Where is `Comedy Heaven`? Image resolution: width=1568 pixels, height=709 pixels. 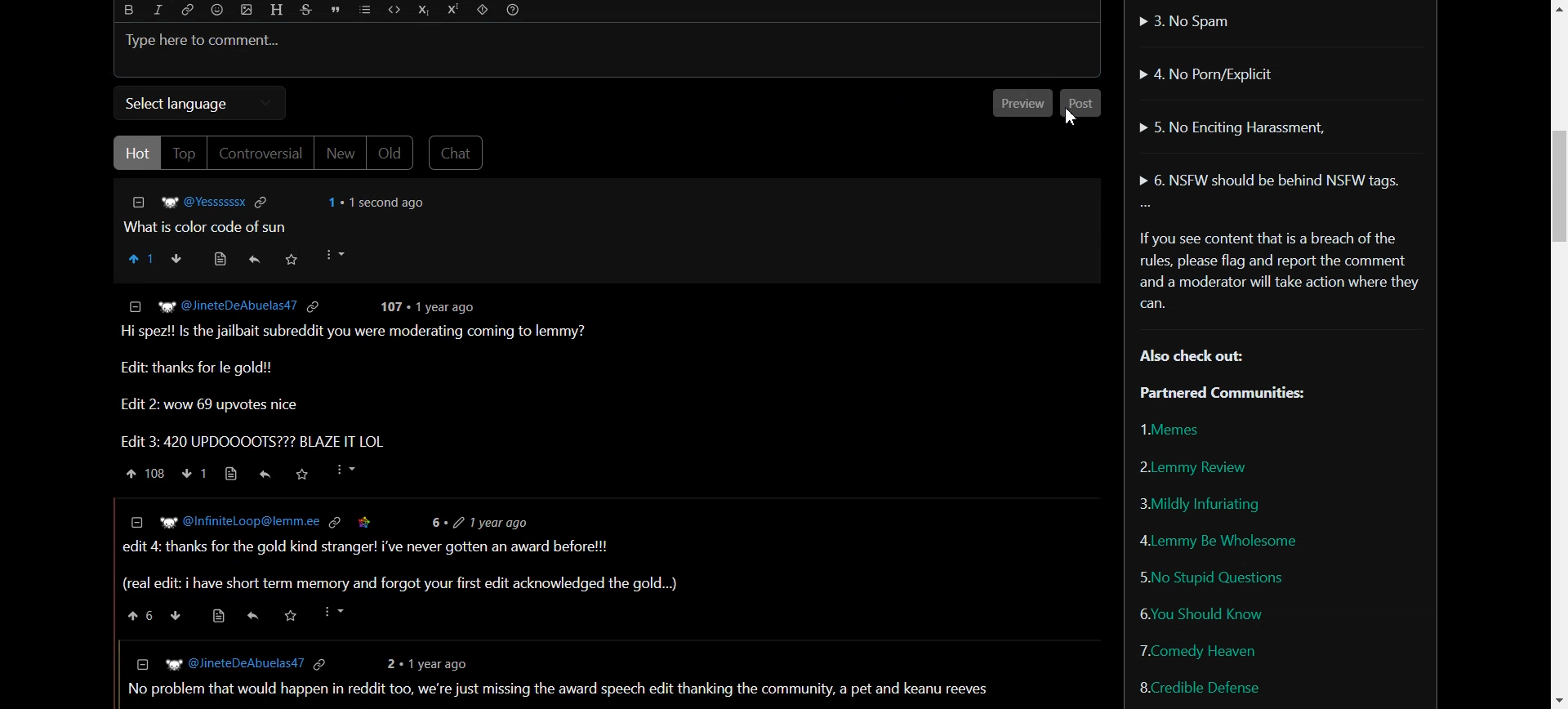
Comedy Heaven is located at coordinates (1197, 650).